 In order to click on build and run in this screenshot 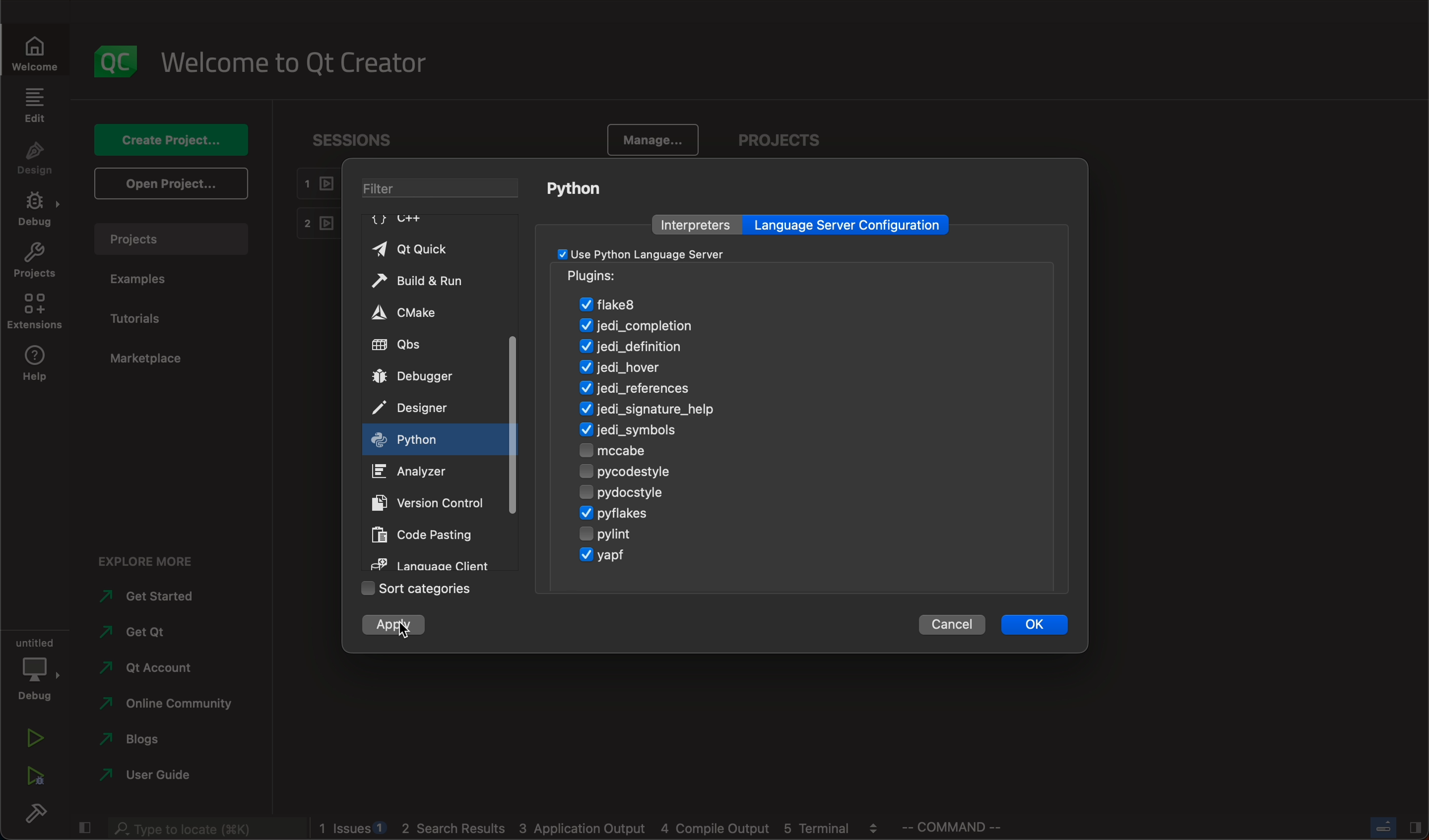, I will do `click(425, 278)`.